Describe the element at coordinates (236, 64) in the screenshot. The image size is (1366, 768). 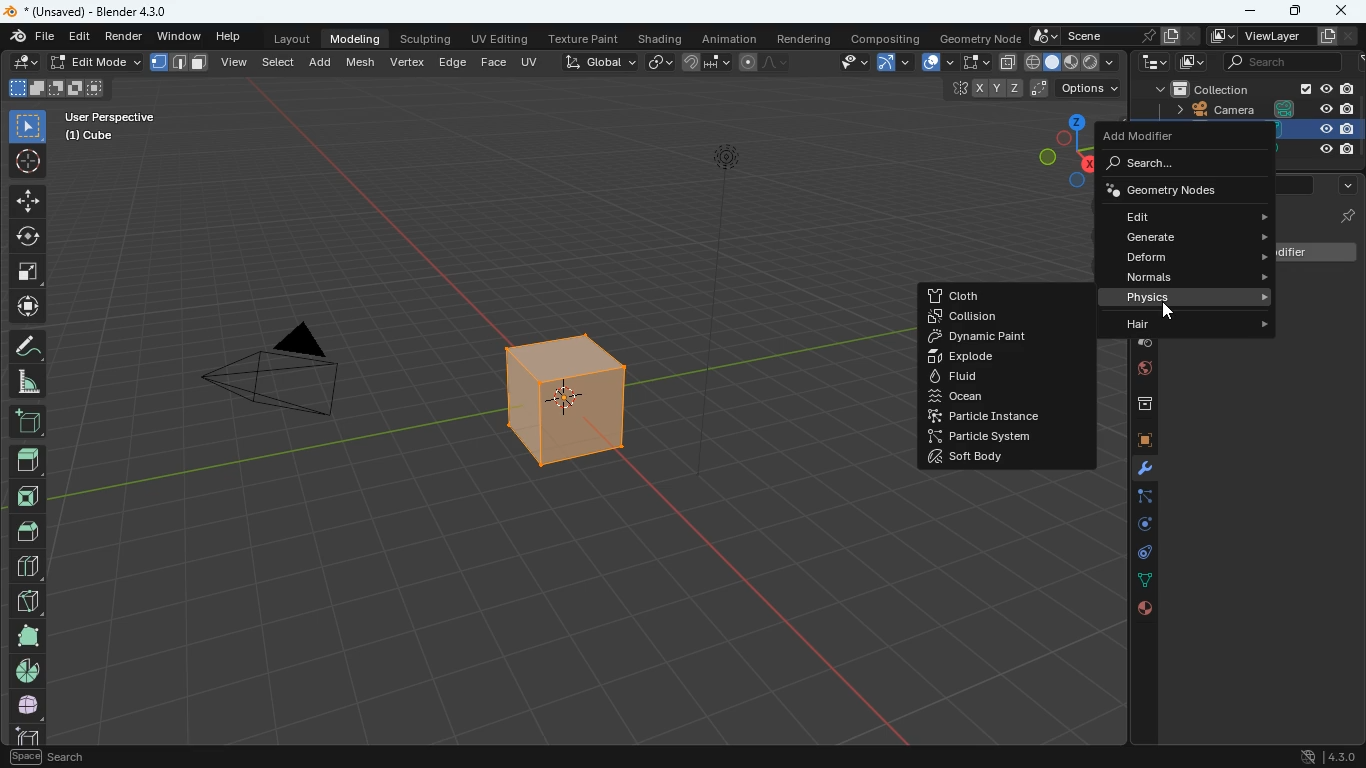
I see `view` at that location.